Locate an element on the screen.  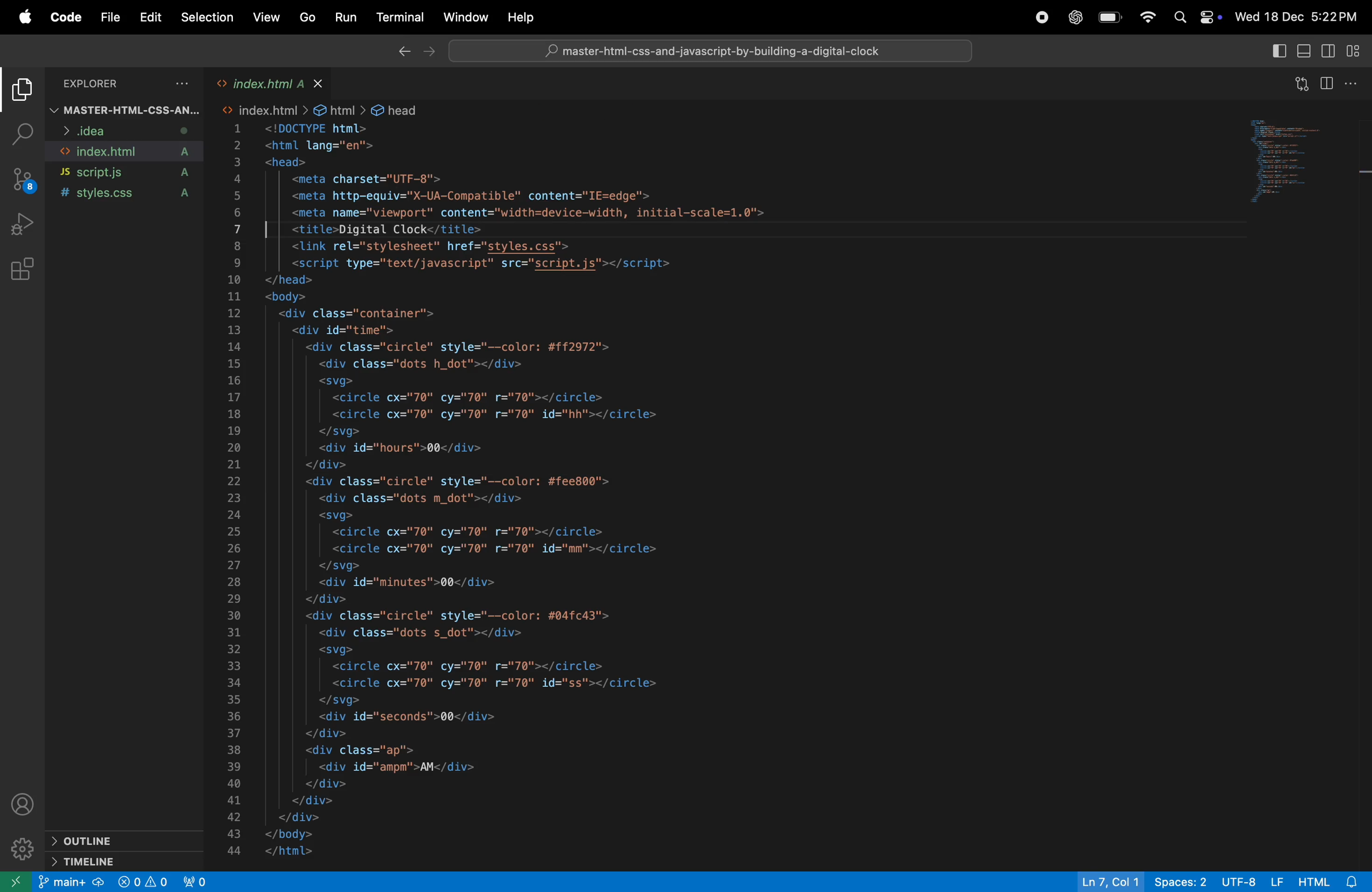
options is located at coordinates (1357, 85).